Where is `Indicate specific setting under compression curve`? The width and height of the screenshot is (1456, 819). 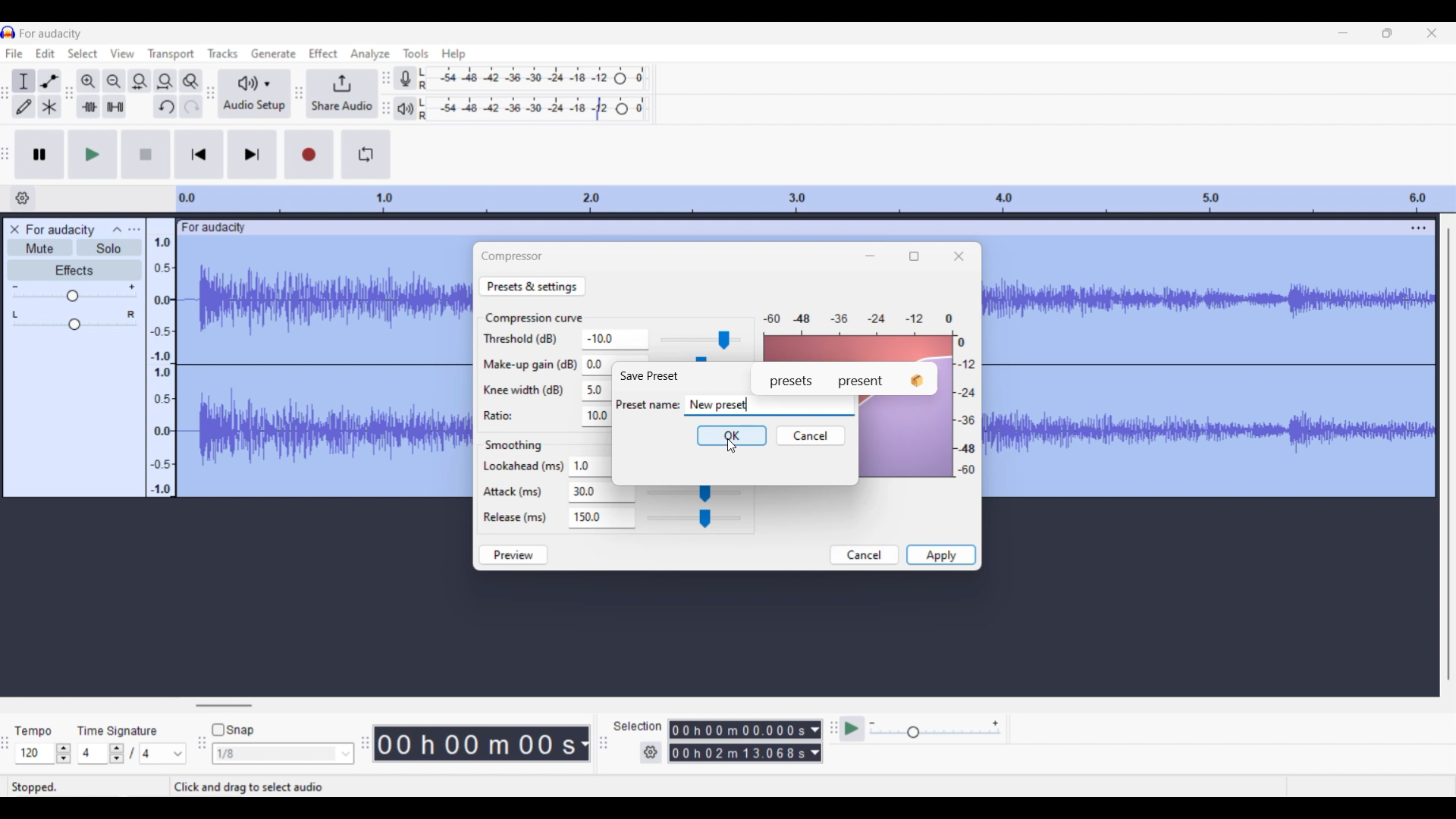
Indicate specific setting under compression curve is located at coordinates (528, 375).